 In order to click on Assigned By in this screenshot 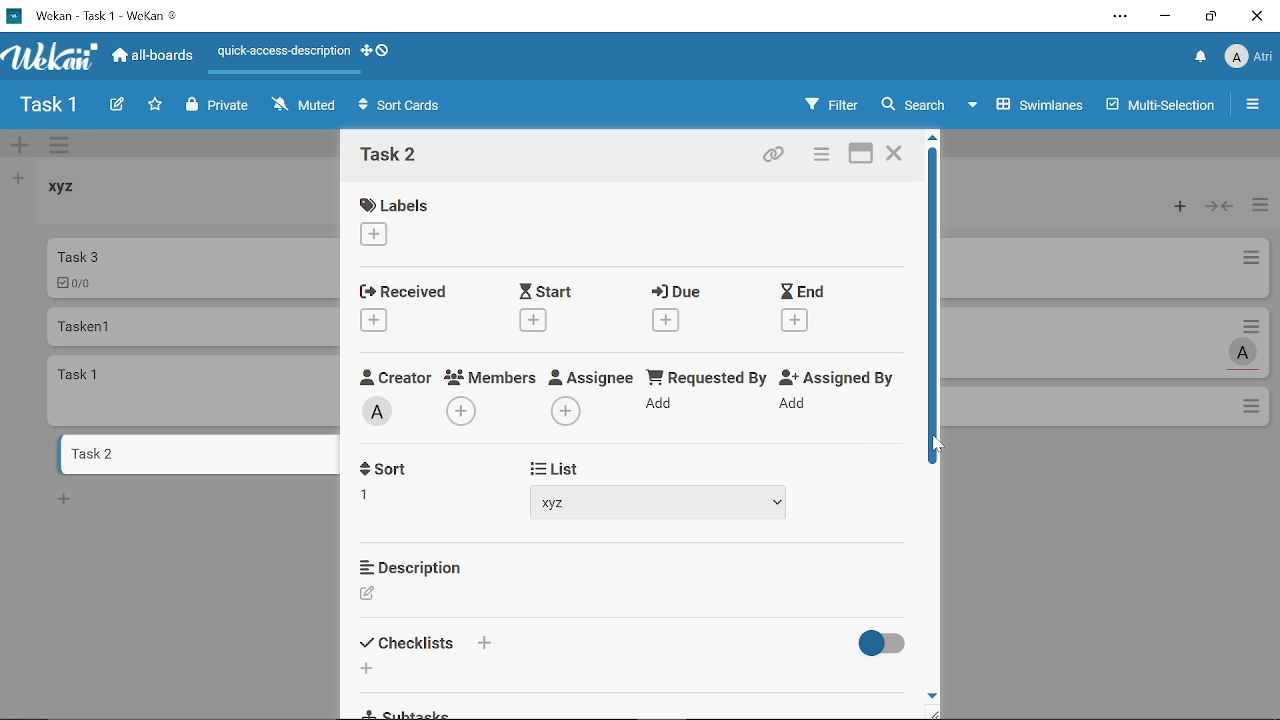, I will do `click(839, 374)`.